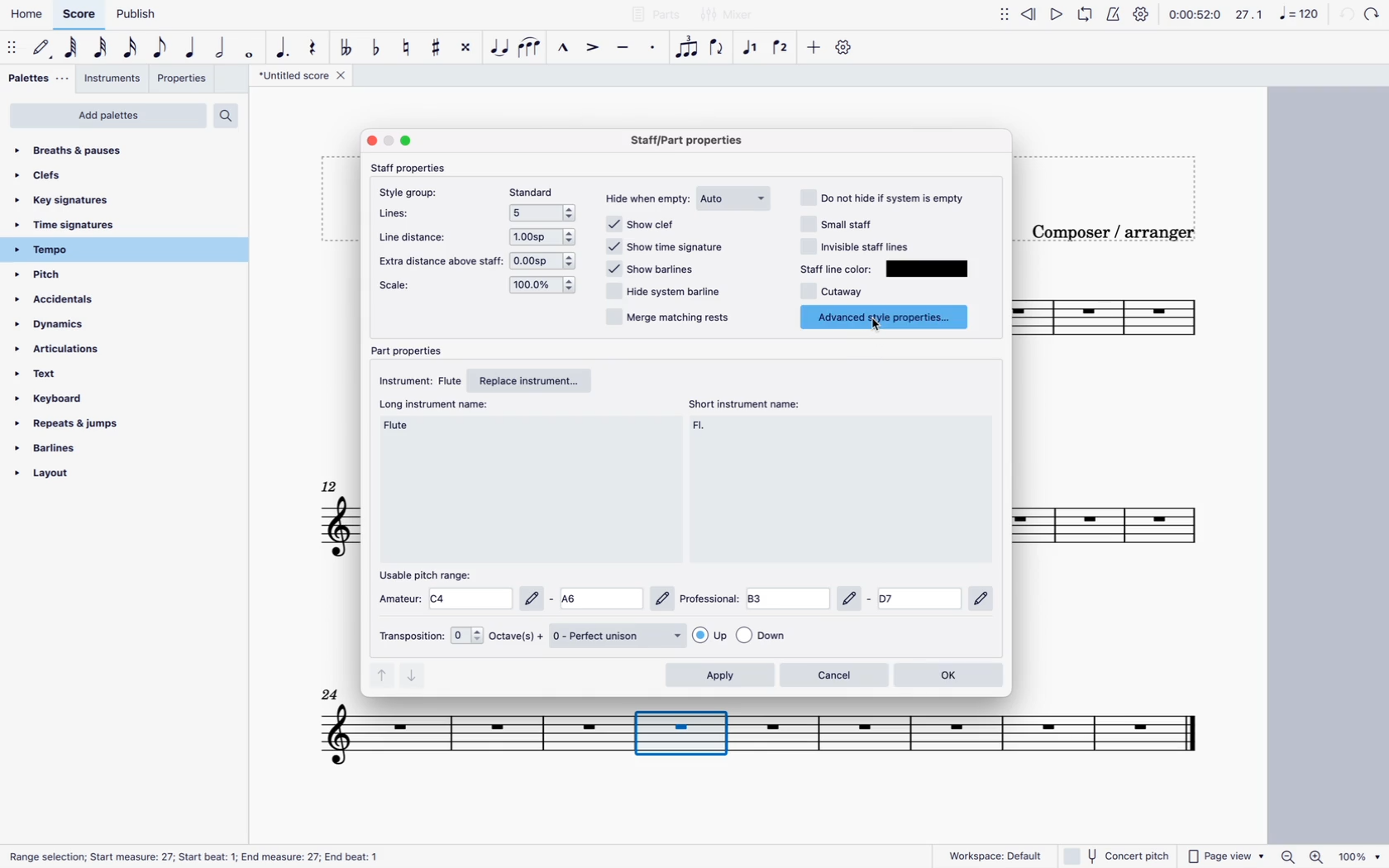  What do you see at coordinates (654, 269) in the screenshot?
I see `show barlines` at bounding box center [654, 269].